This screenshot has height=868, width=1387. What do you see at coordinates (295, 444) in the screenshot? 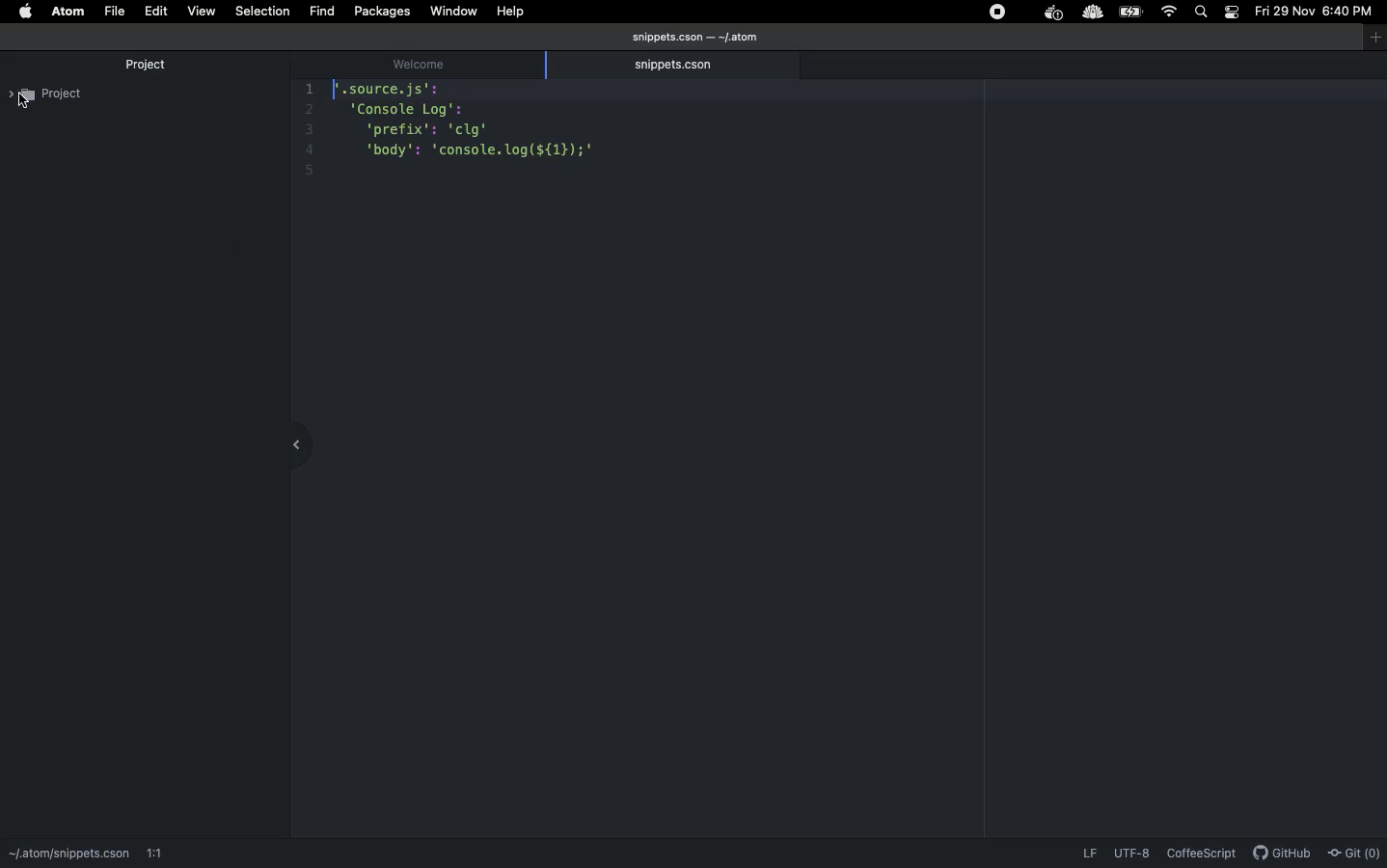
I see `collapse` at bounding box center [295, 444].